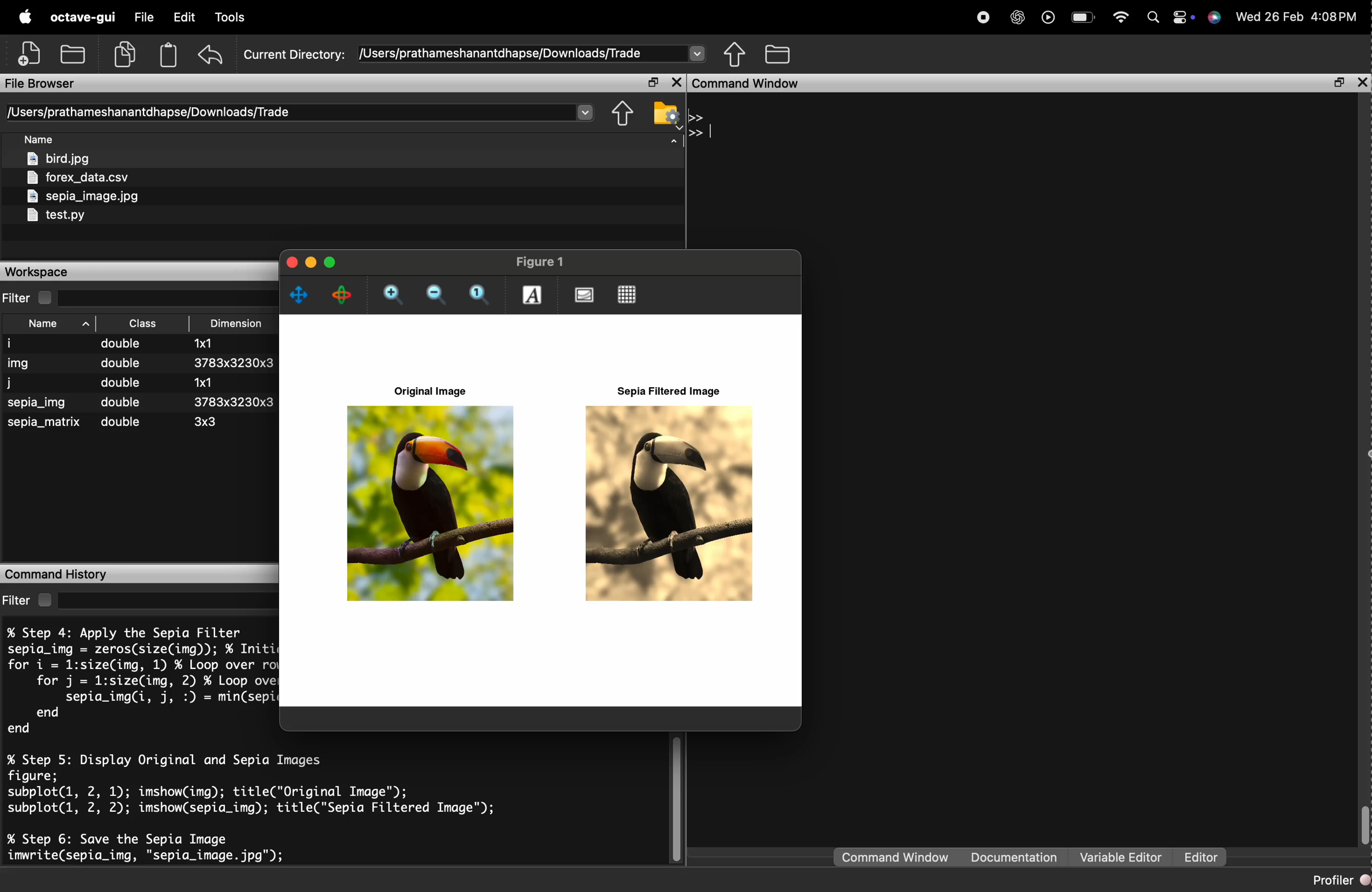 The image size is (1372, 892). What do you see at coordinates (653, 82) in the screenshot?
I see `open in separate window` at bounding box center [653, 82].